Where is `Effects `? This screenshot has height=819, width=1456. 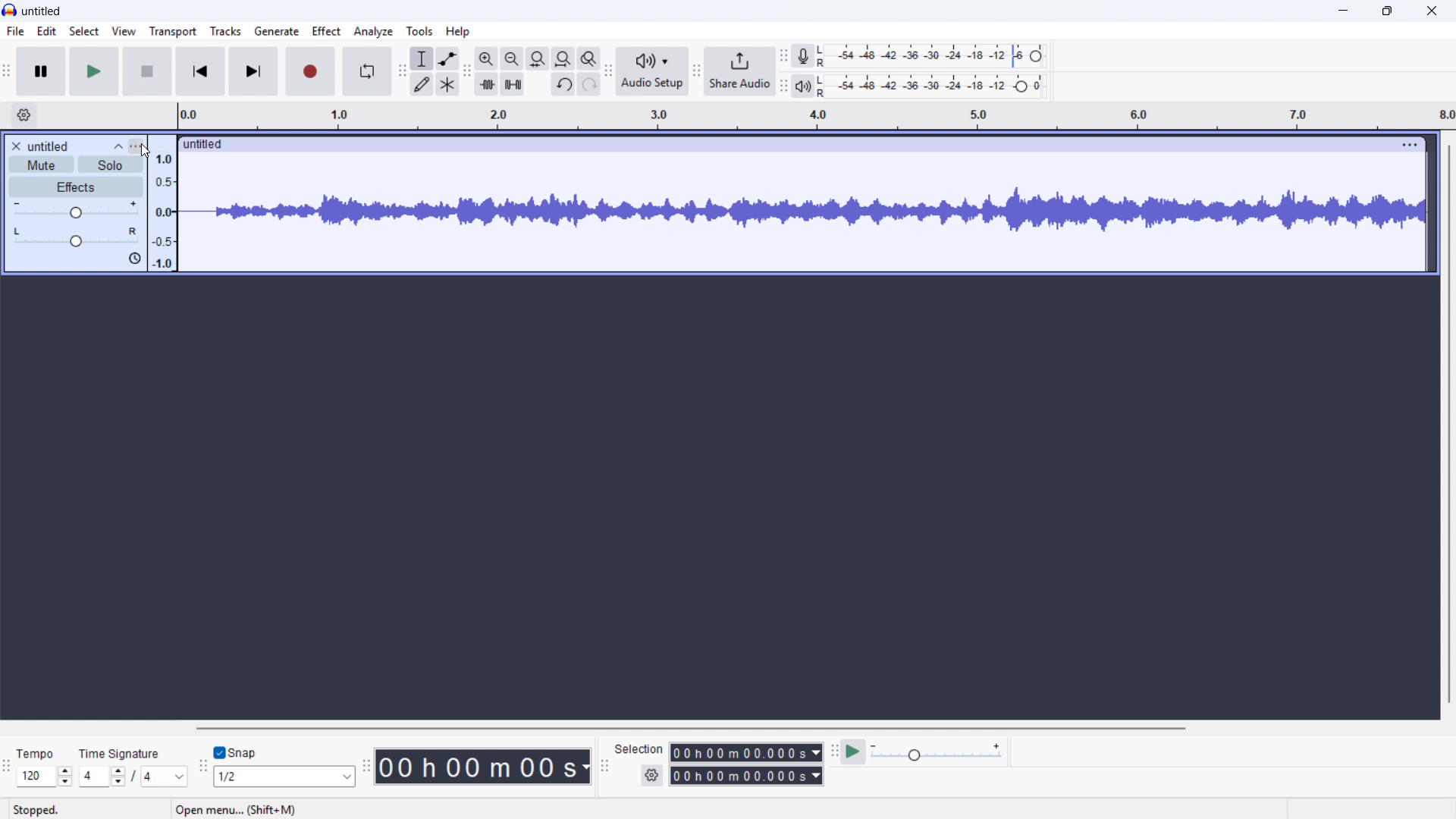
Effects  is located at coordinates (76, 187).